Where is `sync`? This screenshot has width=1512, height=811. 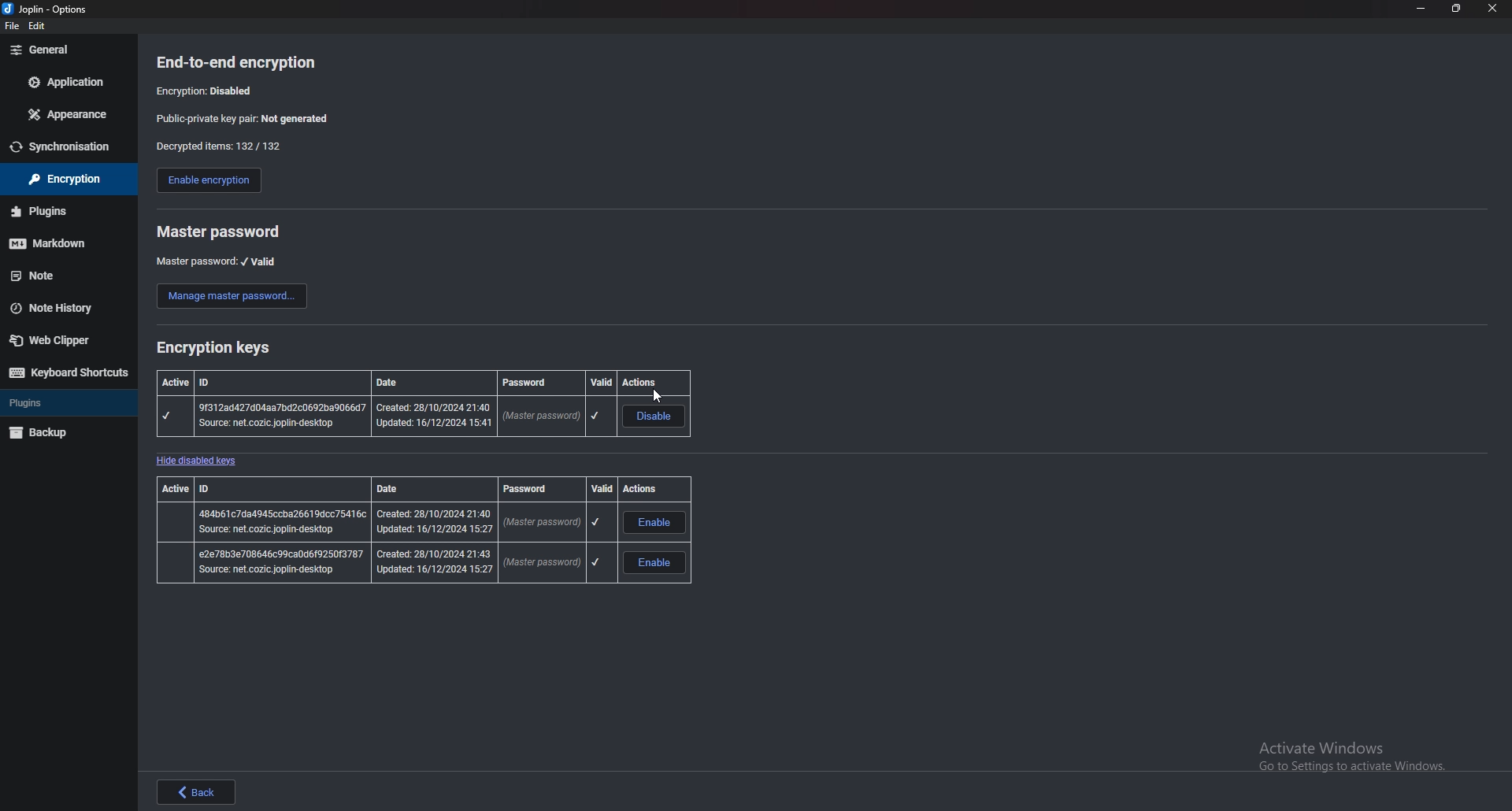
sync is located at coordinates (66, 147).